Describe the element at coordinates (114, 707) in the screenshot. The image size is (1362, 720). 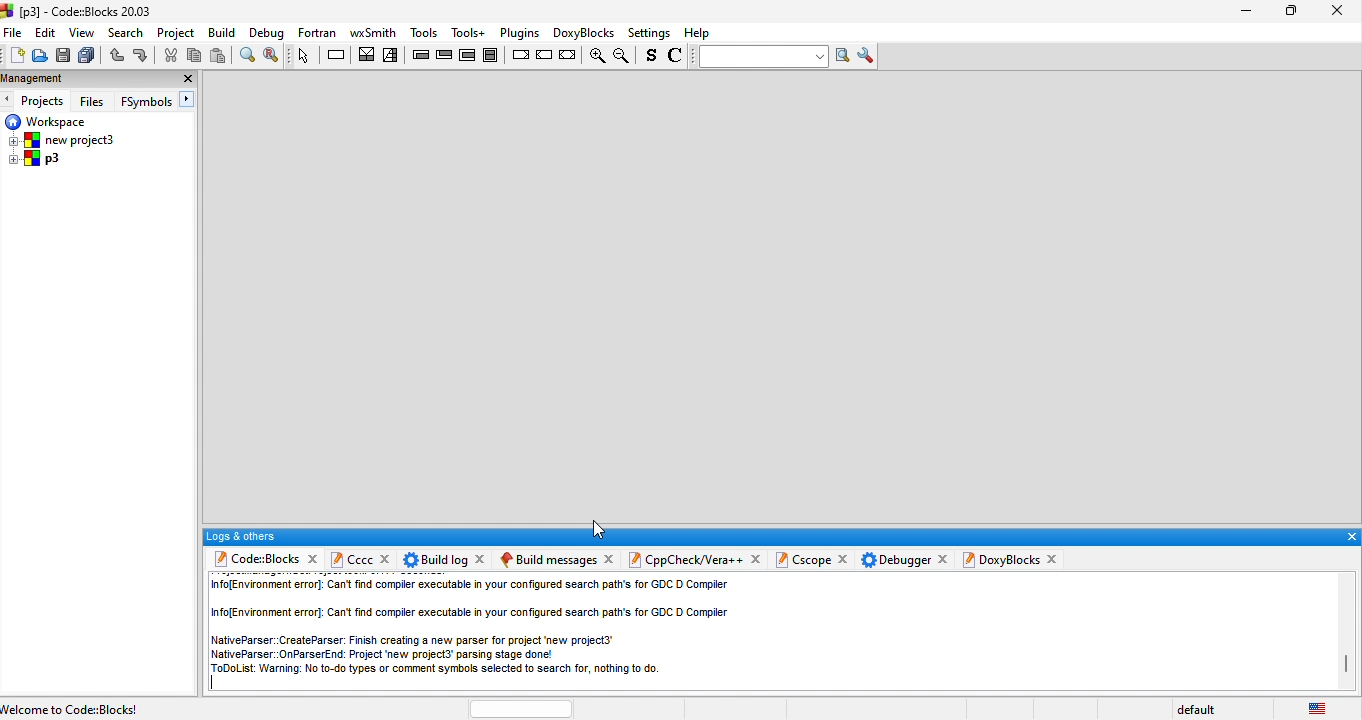
I see `welcome to blocks` at that location.